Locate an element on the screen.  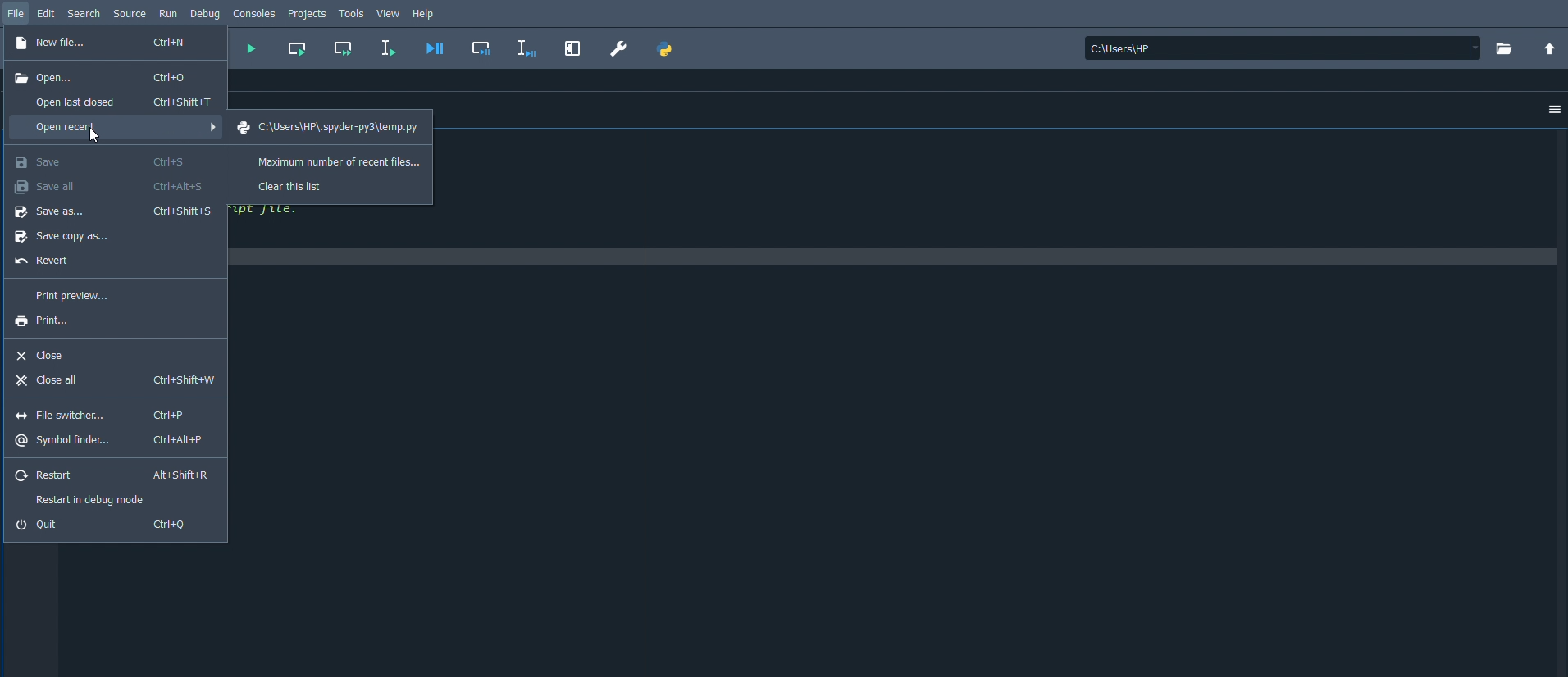
Save copy as is located at coordinates (71, 238).